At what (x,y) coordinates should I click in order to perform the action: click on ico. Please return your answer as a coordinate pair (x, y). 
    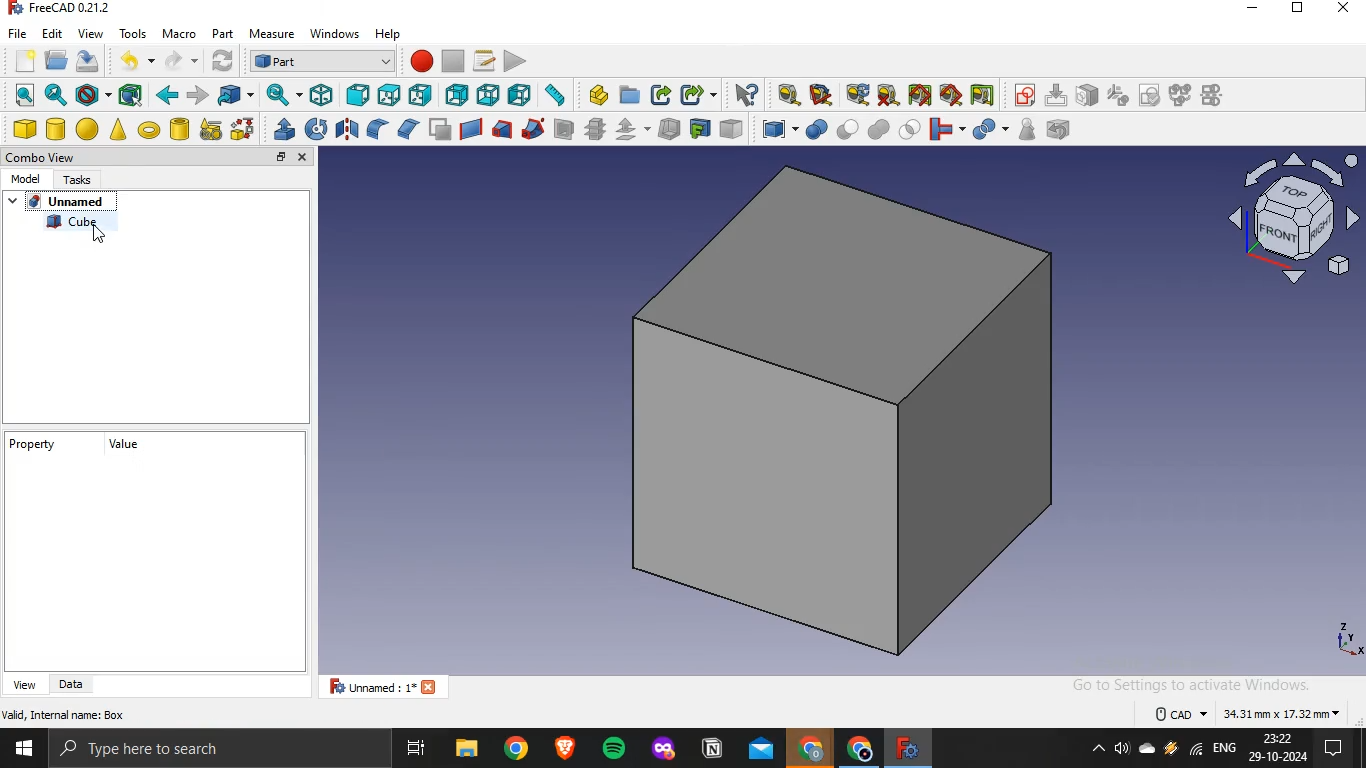
    Looking at the image, I should click on (1298, 215).